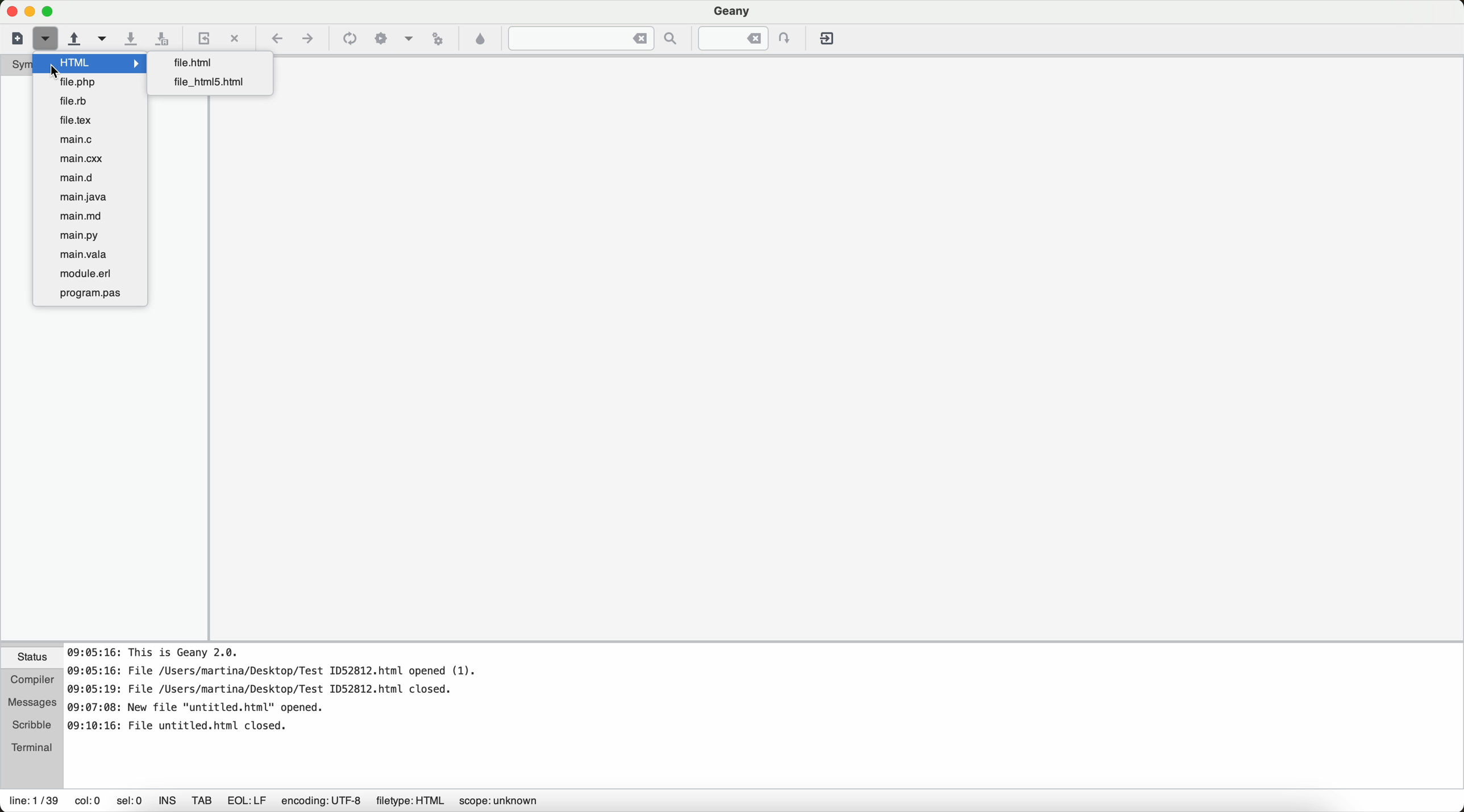 The height and width of the screenshot is (812, 1464). What do you see at coordinates (827, 38) in the screenshot?
I see `quit Geany` at bounding box center [827, 38].